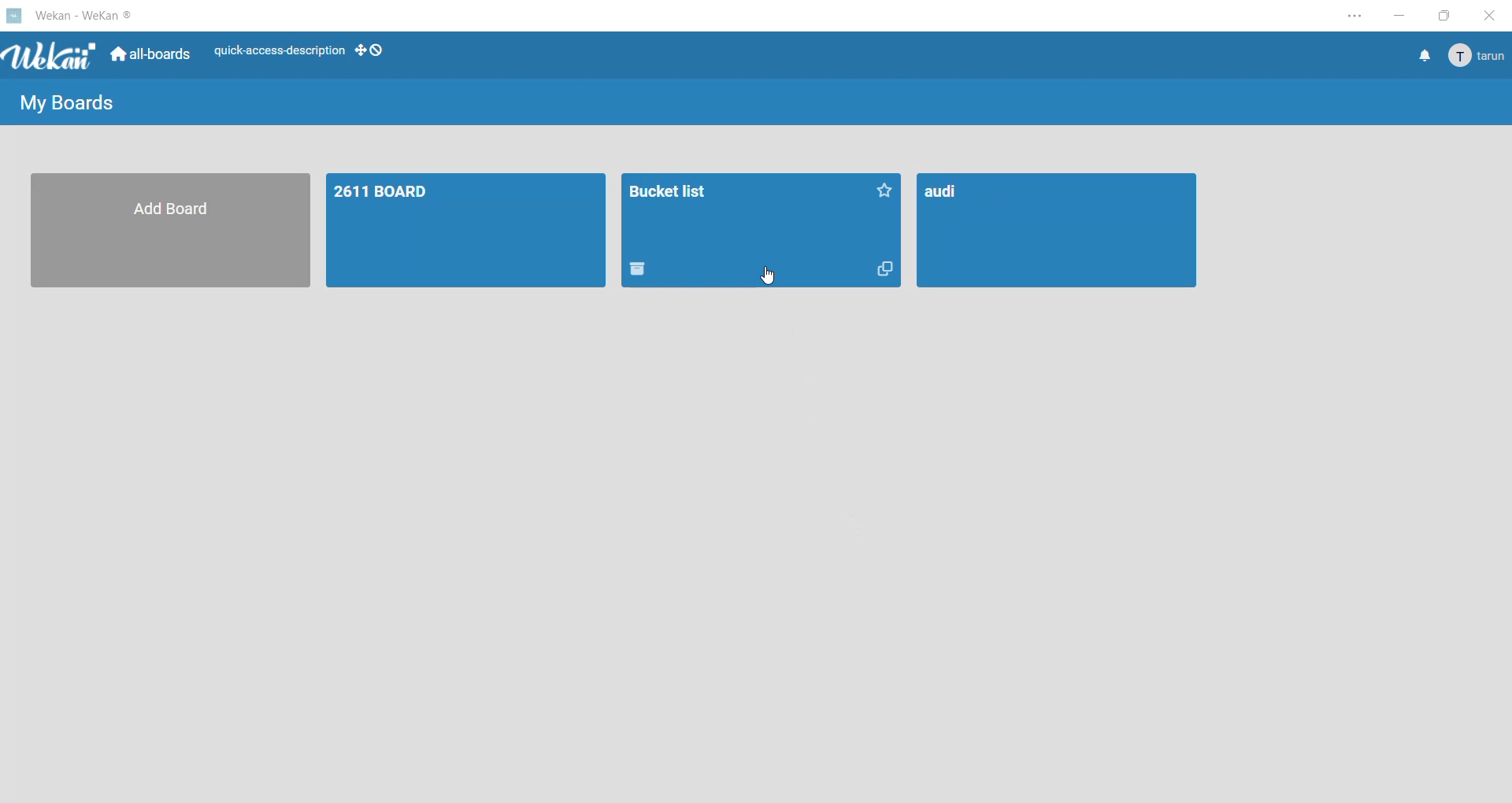  I want to click on Bucket list, so click(743, 215).